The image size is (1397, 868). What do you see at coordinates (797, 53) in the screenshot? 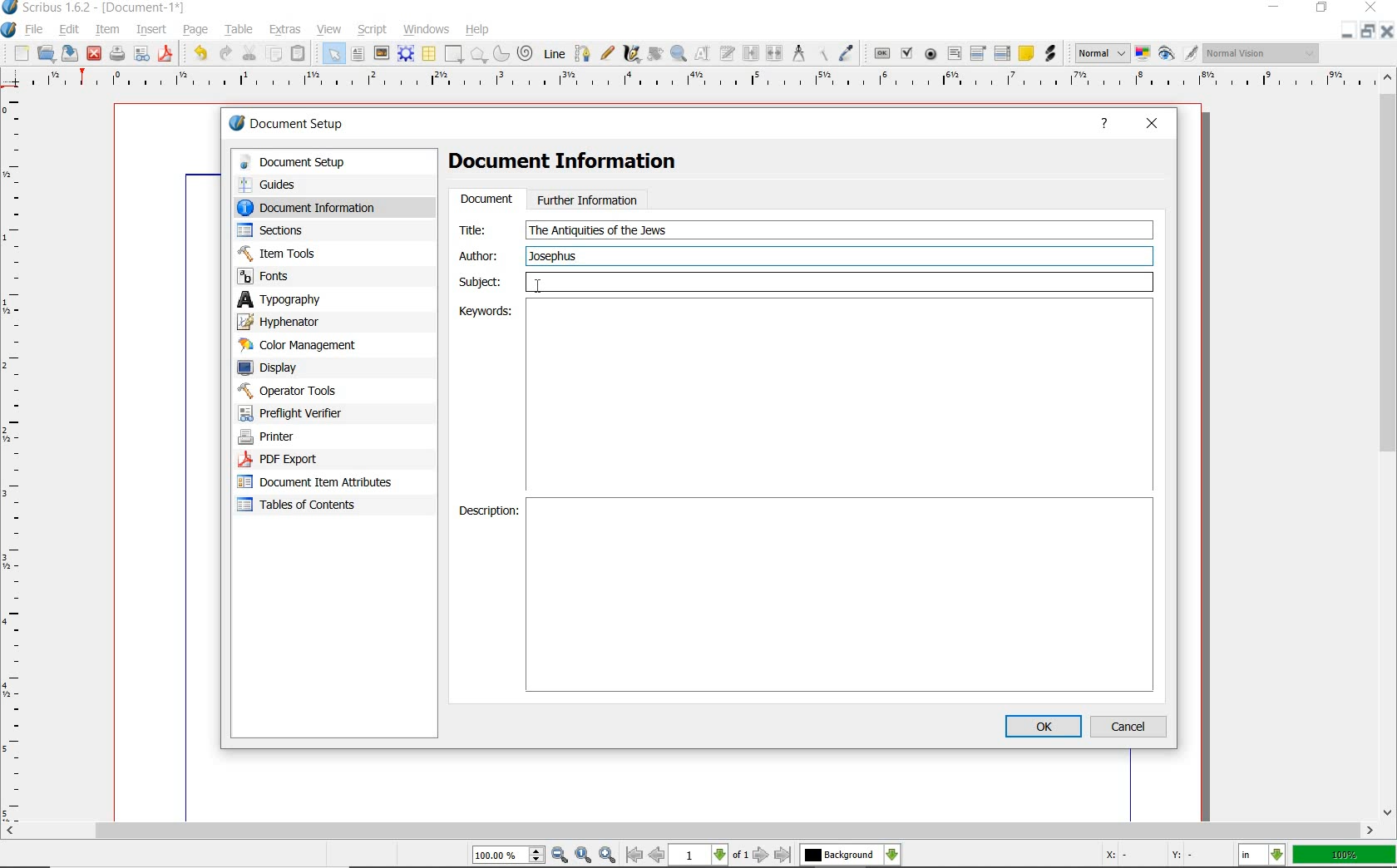
I see `measurements` at bounding box center [797, 53].